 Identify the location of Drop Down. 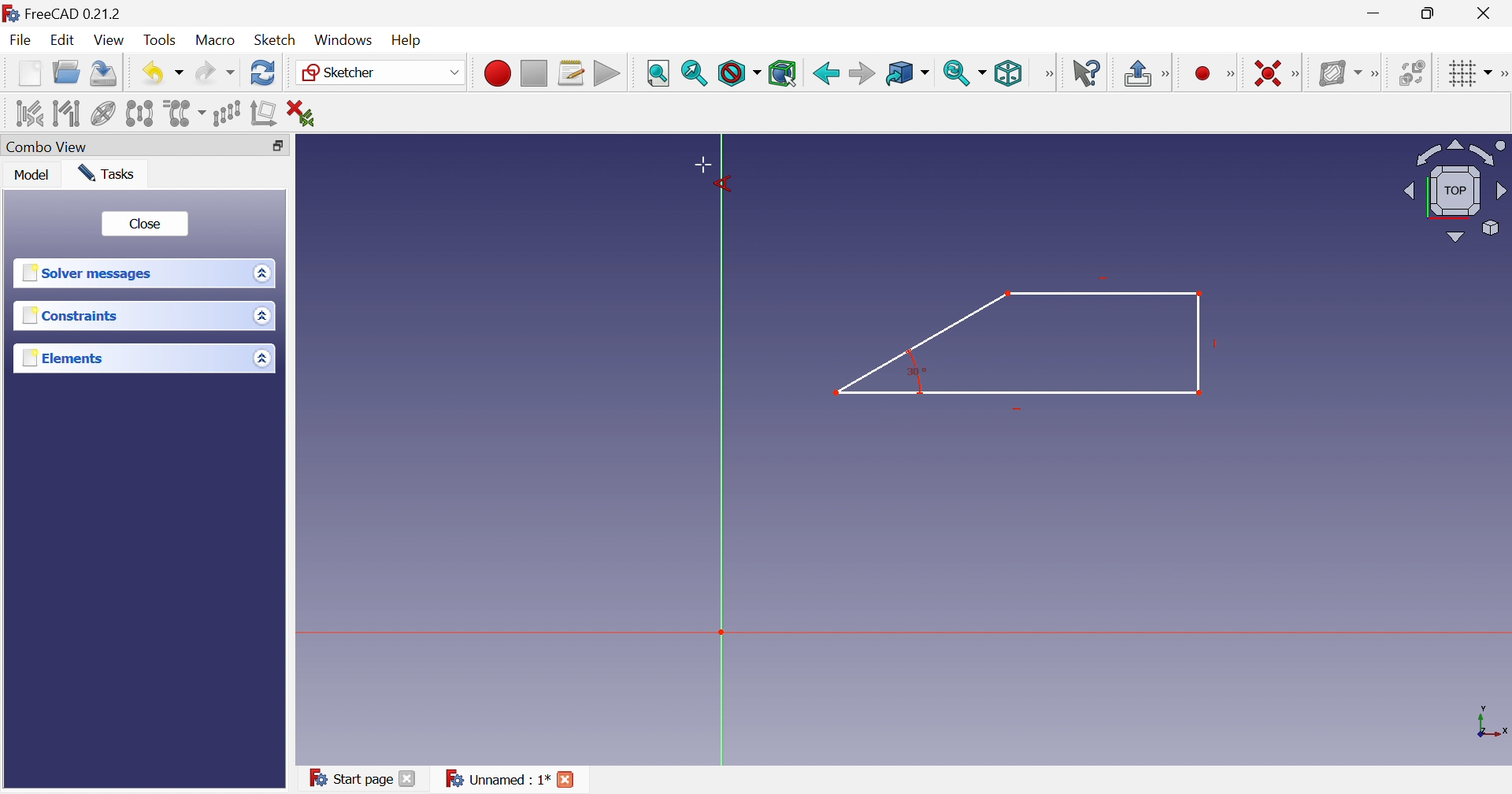
(259, 273).